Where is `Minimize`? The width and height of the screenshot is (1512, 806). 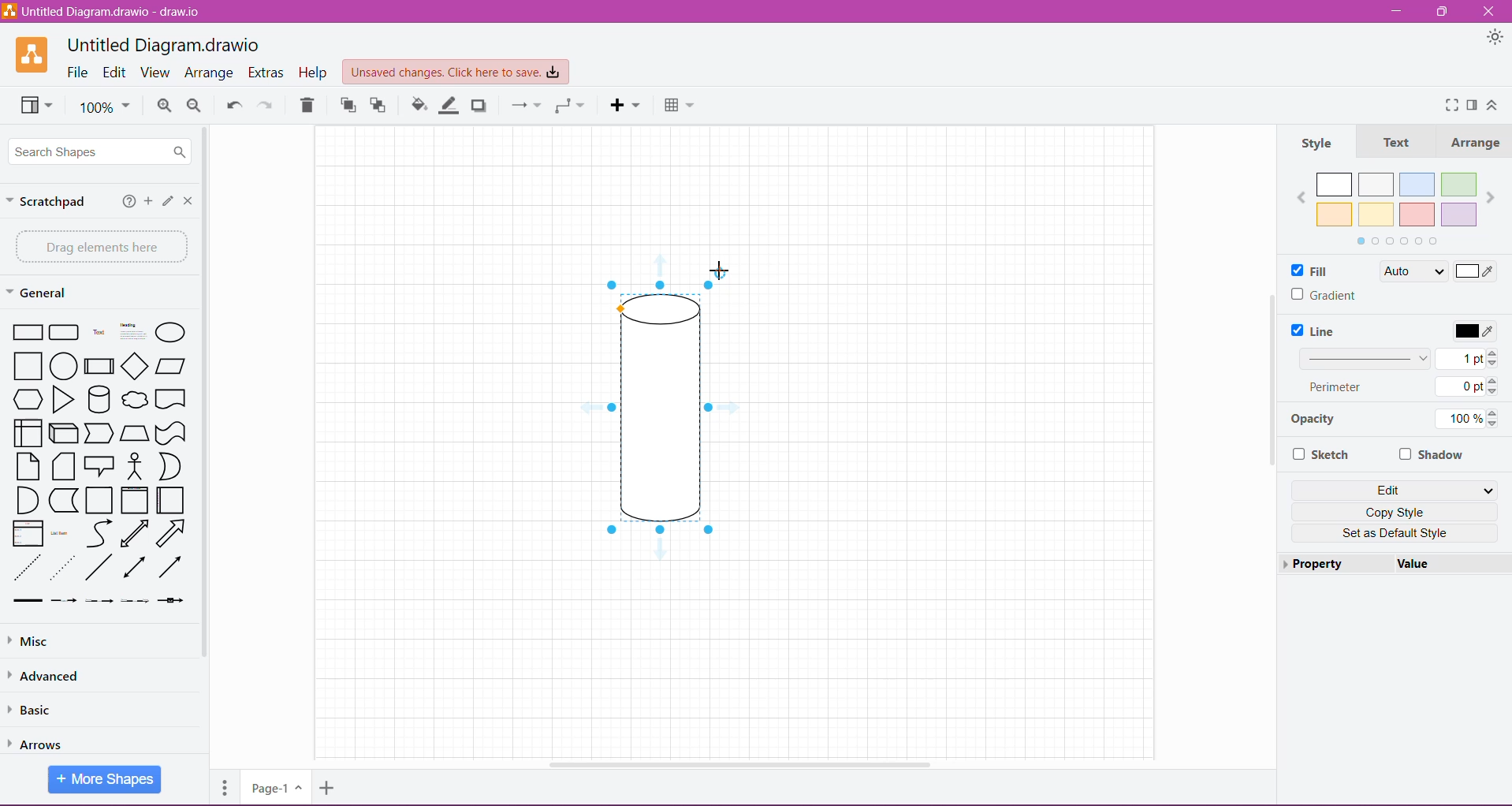 Minimize is located at coordinates (1398, 11).